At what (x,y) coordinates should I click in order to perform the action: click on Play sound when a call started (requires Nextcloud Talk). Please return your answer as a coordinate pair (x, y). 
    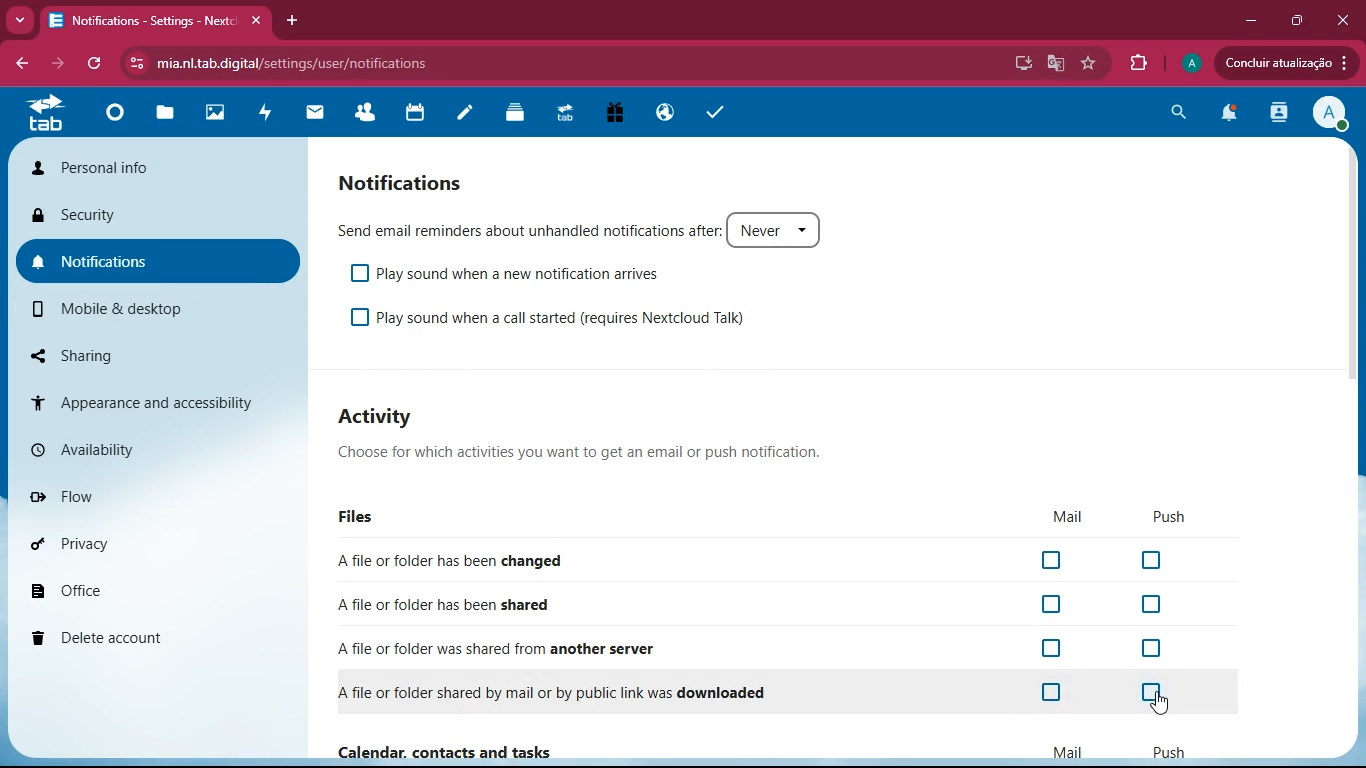
    Looking at the image, I should click on (548, 319).